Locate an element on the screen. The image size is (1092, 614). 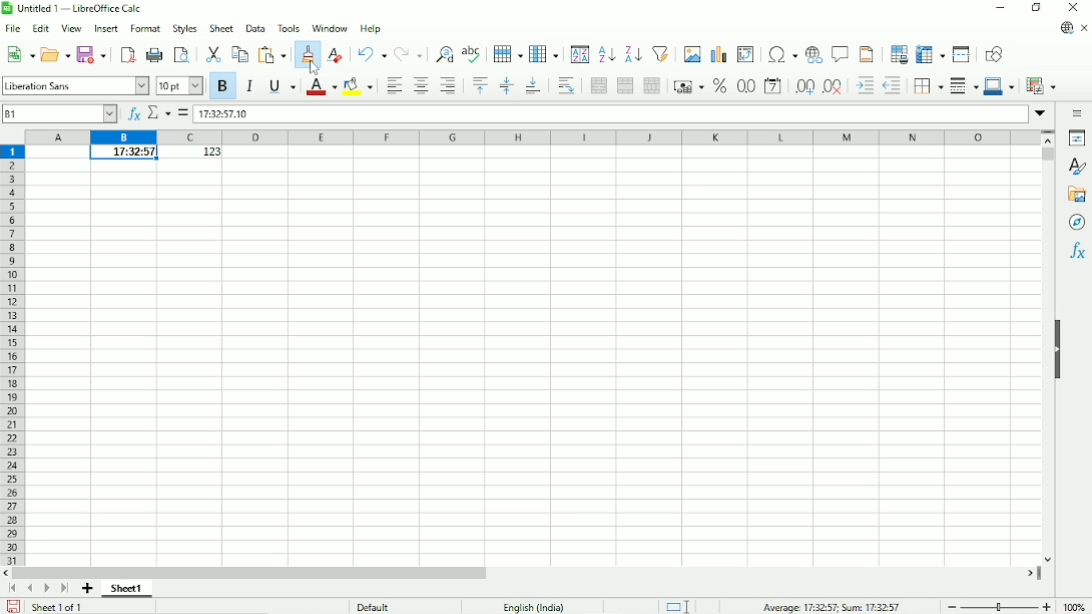
Merge cells is located at coordinates (624, 86).